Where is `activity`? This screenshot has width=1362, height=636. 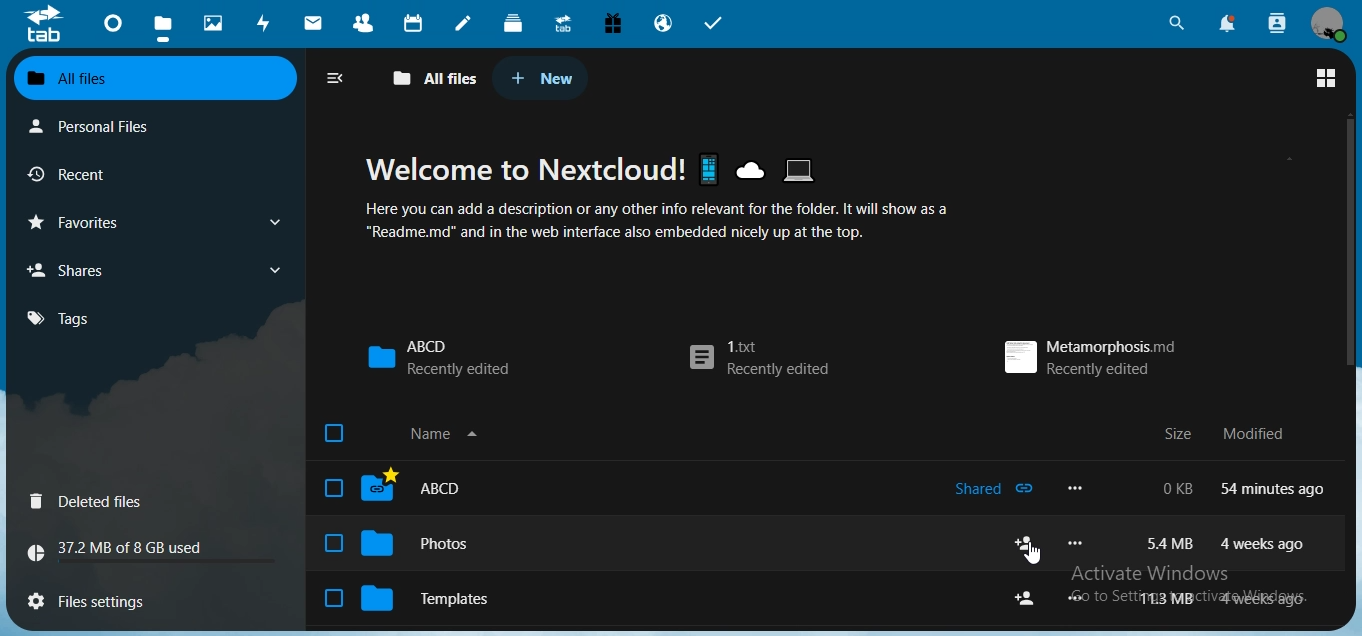
activity is located at coordinates (268, 23).